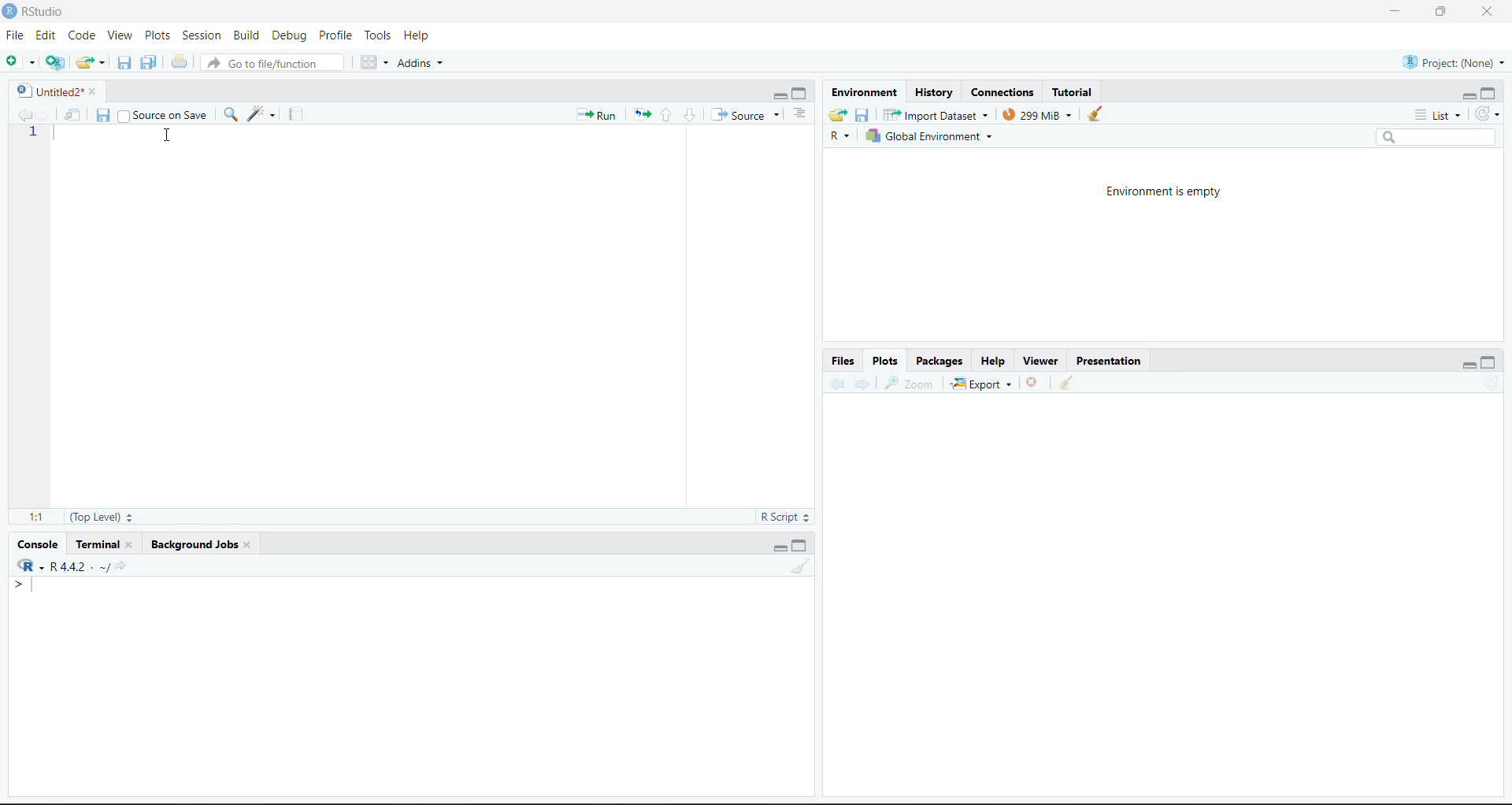 The width and height of the screenshot is (1512, 805). Describe the element at coordinates (339, 35) in the screenshot. I see `Profile` at that location.